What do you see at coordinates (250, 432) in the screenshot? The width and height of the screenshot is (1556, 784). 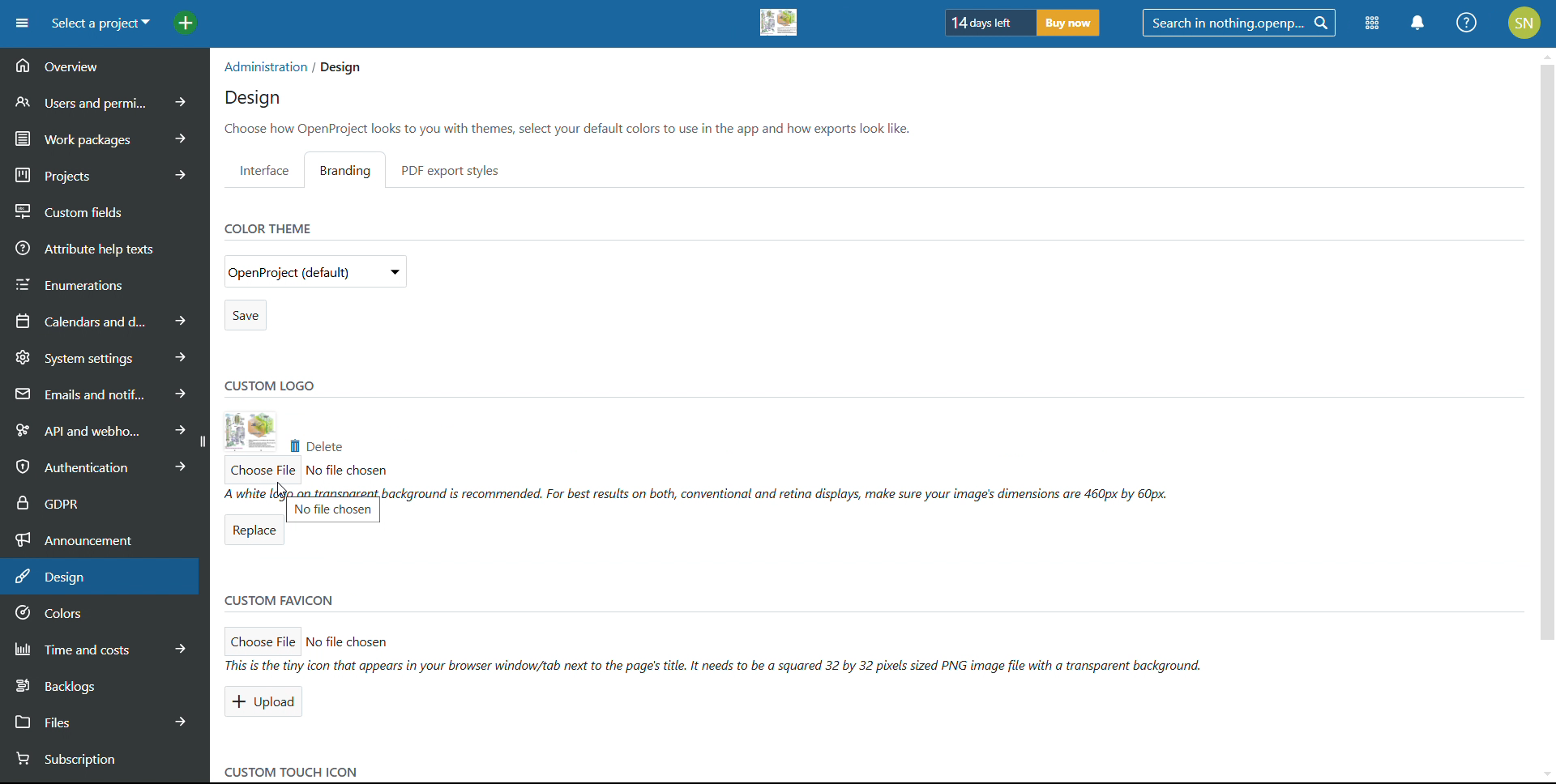 I see `logo preview` at bounding box center [250, 432].